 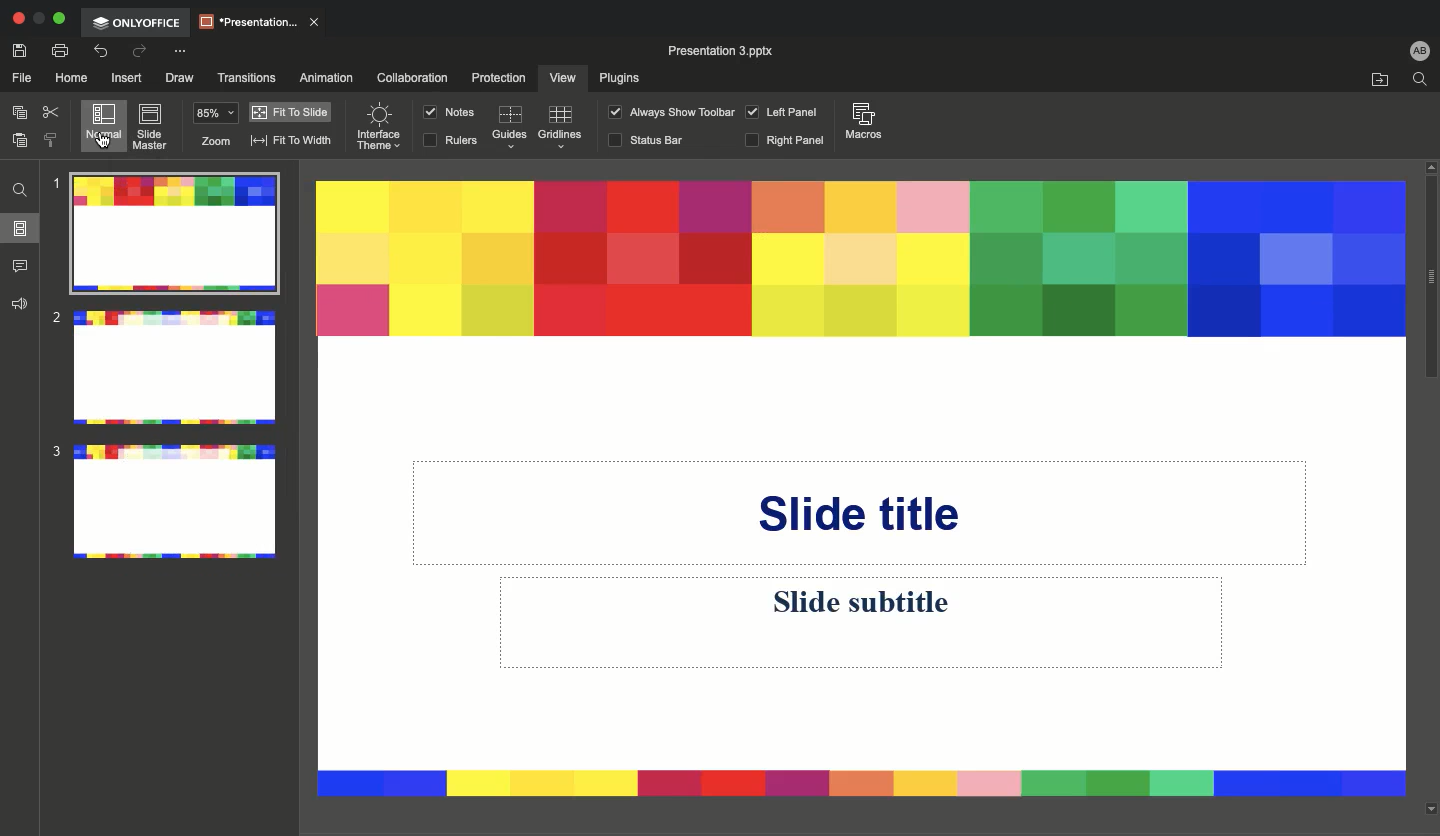 What do you see at coordinates (562, 128) in the screenshot?
I see `Guidelines` at bounding box center [562, 128].